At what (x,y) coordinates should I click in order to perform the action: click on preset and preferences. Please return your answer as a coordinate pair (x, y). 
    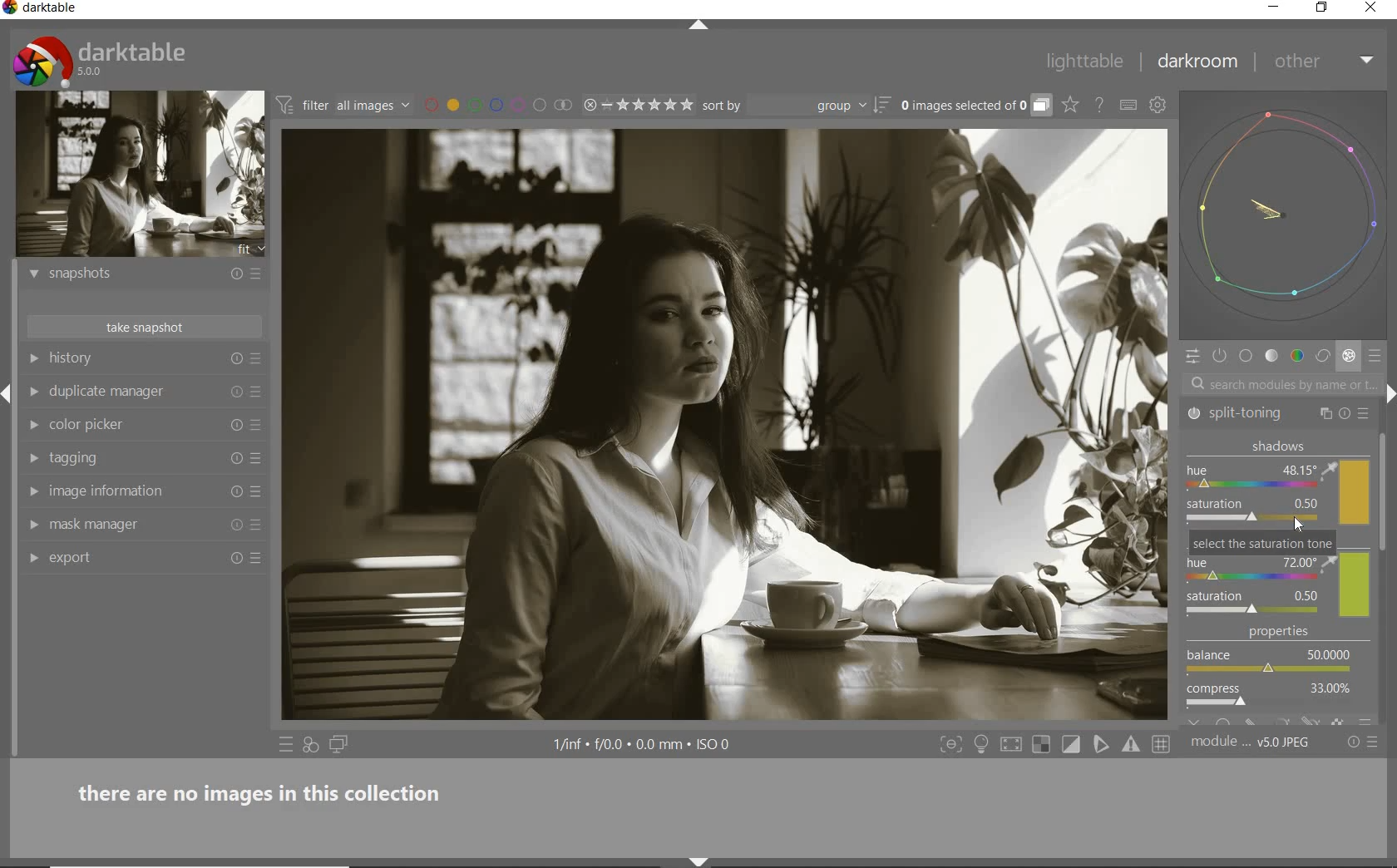
    Looking at the image, I should click on (257, 392).